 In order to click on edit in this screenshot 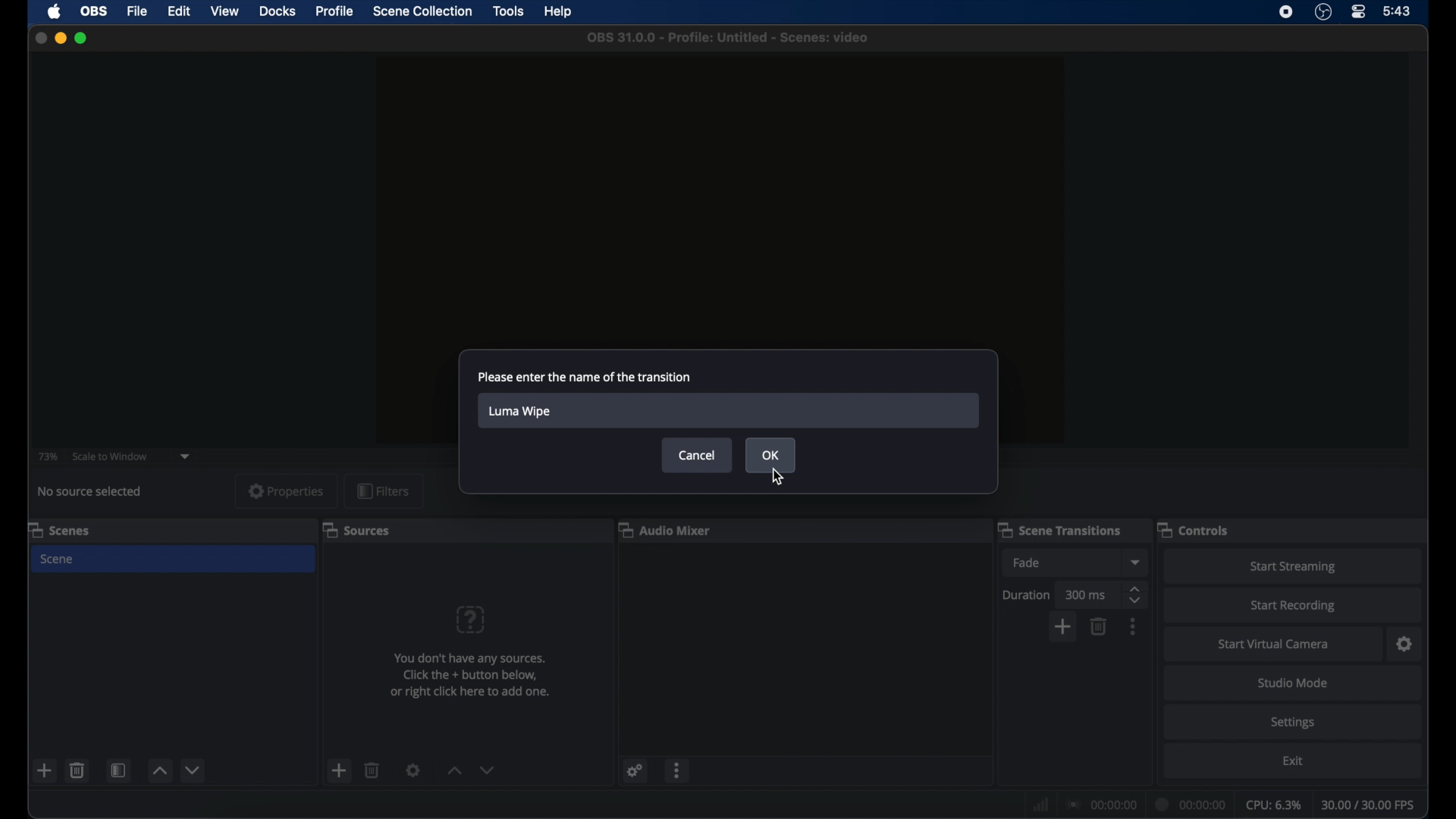, I will do `click(179, 12)`.